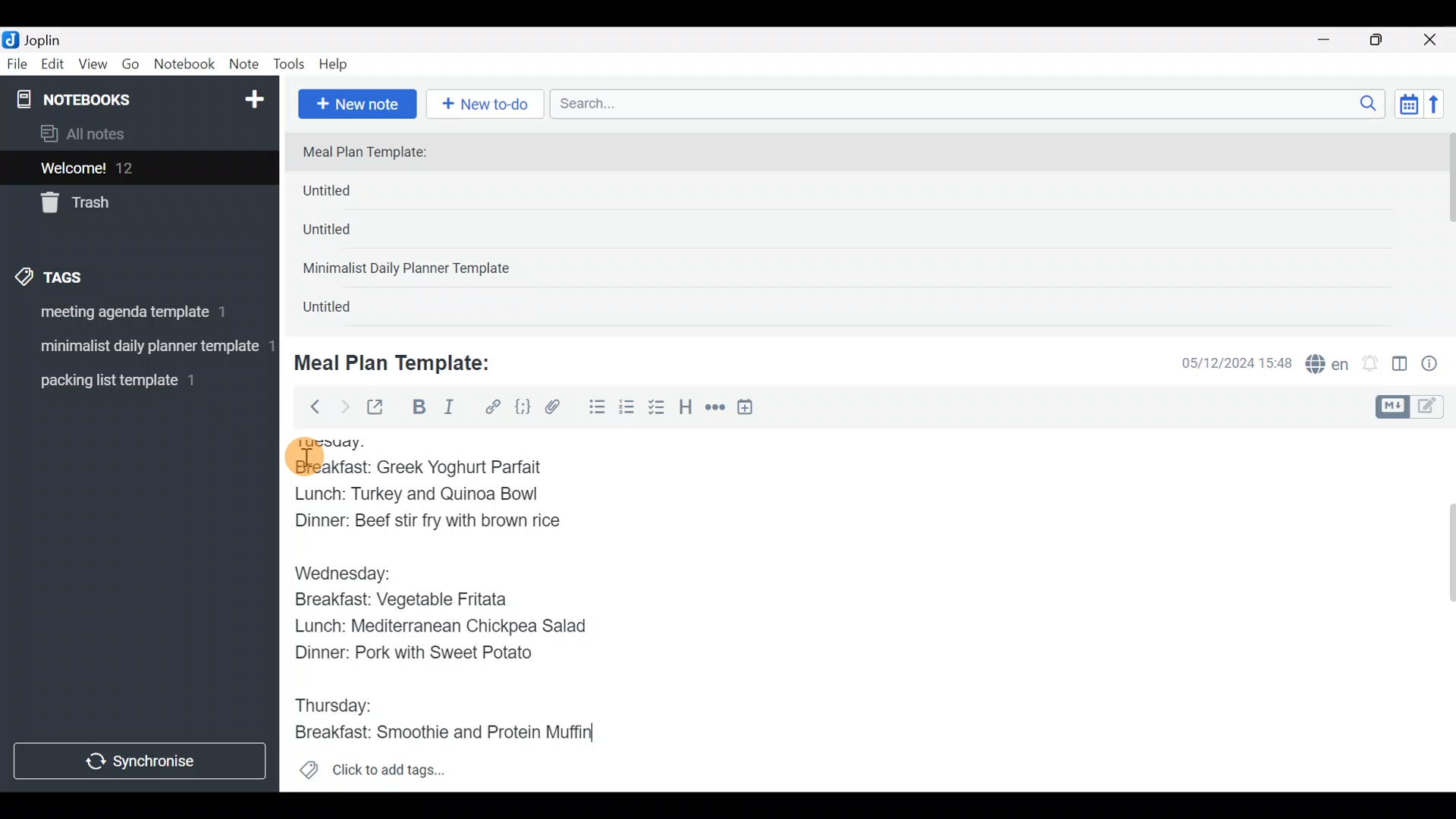  Describe the element at coordinates (1446, 229) in the screenshot. I see `scroll bar` at that location.